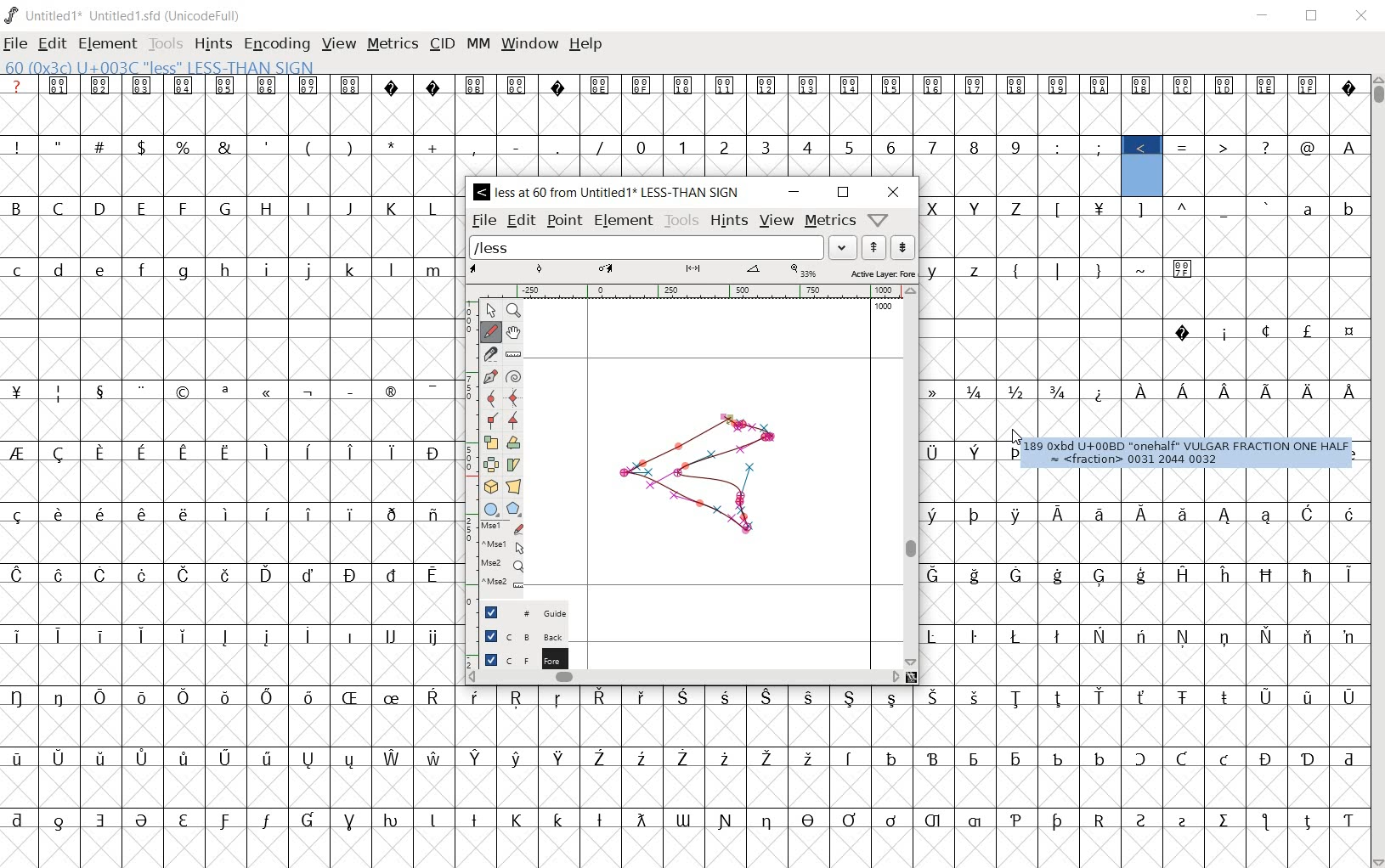  I want to click on empty cells, so click(681, 114).